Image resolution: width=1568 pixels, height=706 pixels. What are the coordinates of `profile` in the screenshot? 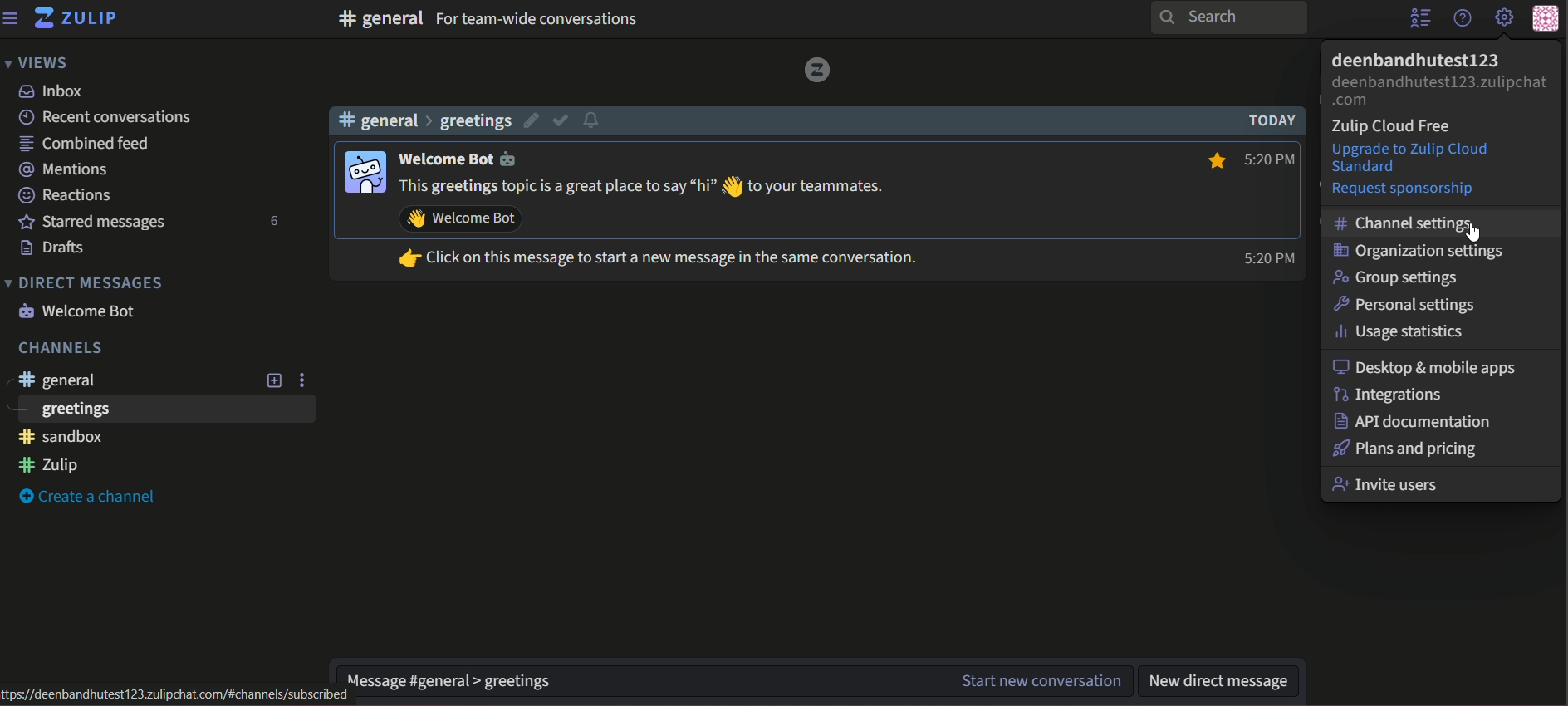 It's located at (1551, 17).